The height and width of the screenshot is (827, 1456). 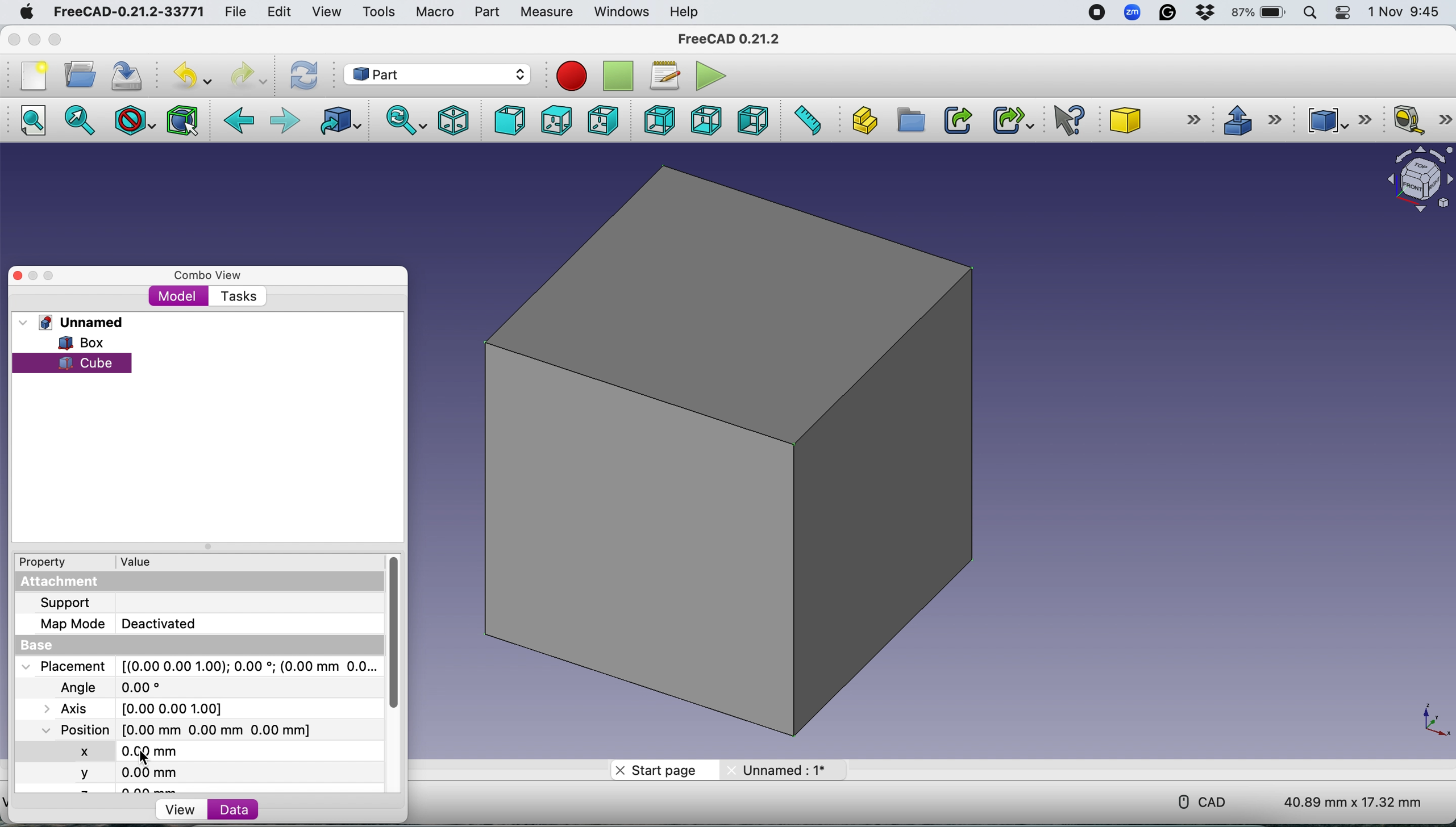 What do you see at coordinates (32, 76) in the screenshot?
I see `New` at bounding box center [32, 76].